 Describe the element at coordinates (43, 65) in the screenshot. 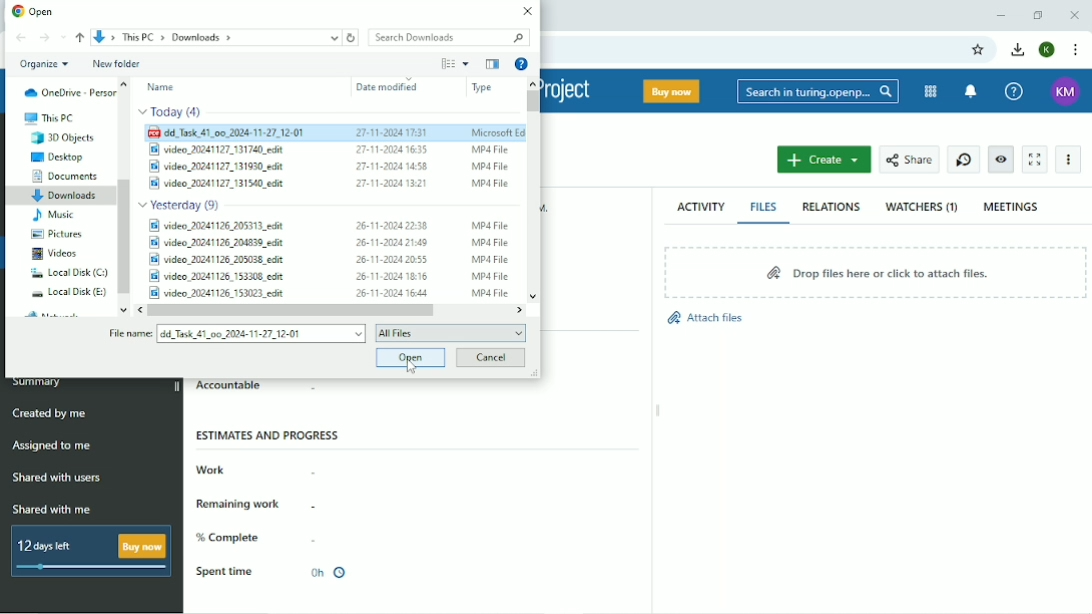

I see `Organize` at that location.